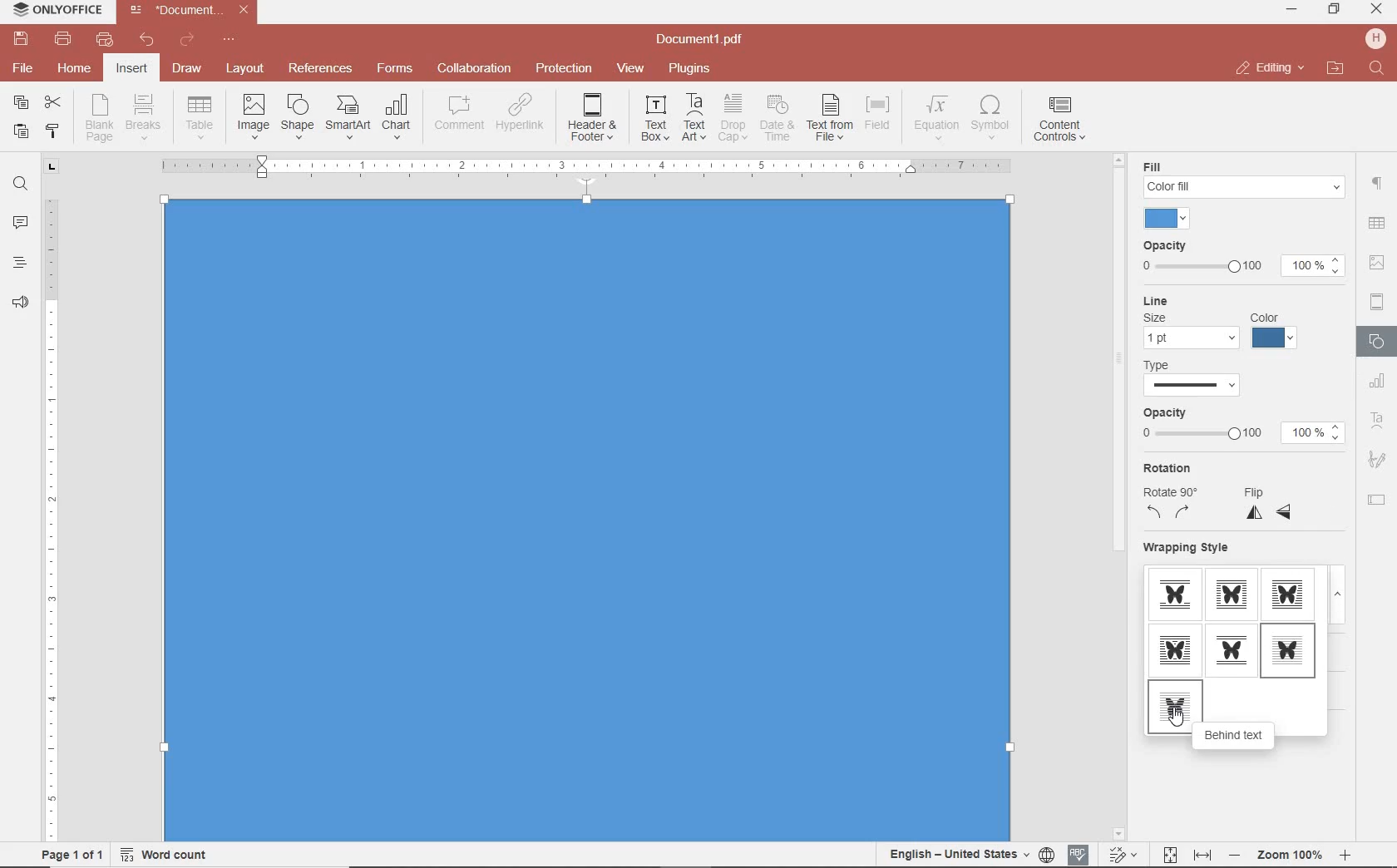 This screenshot has height=868, width=1397. What do you see at coordinates (296, 116) in the screenshot?
I see `INSERT SHAPE` at bounding box center [296, 116].